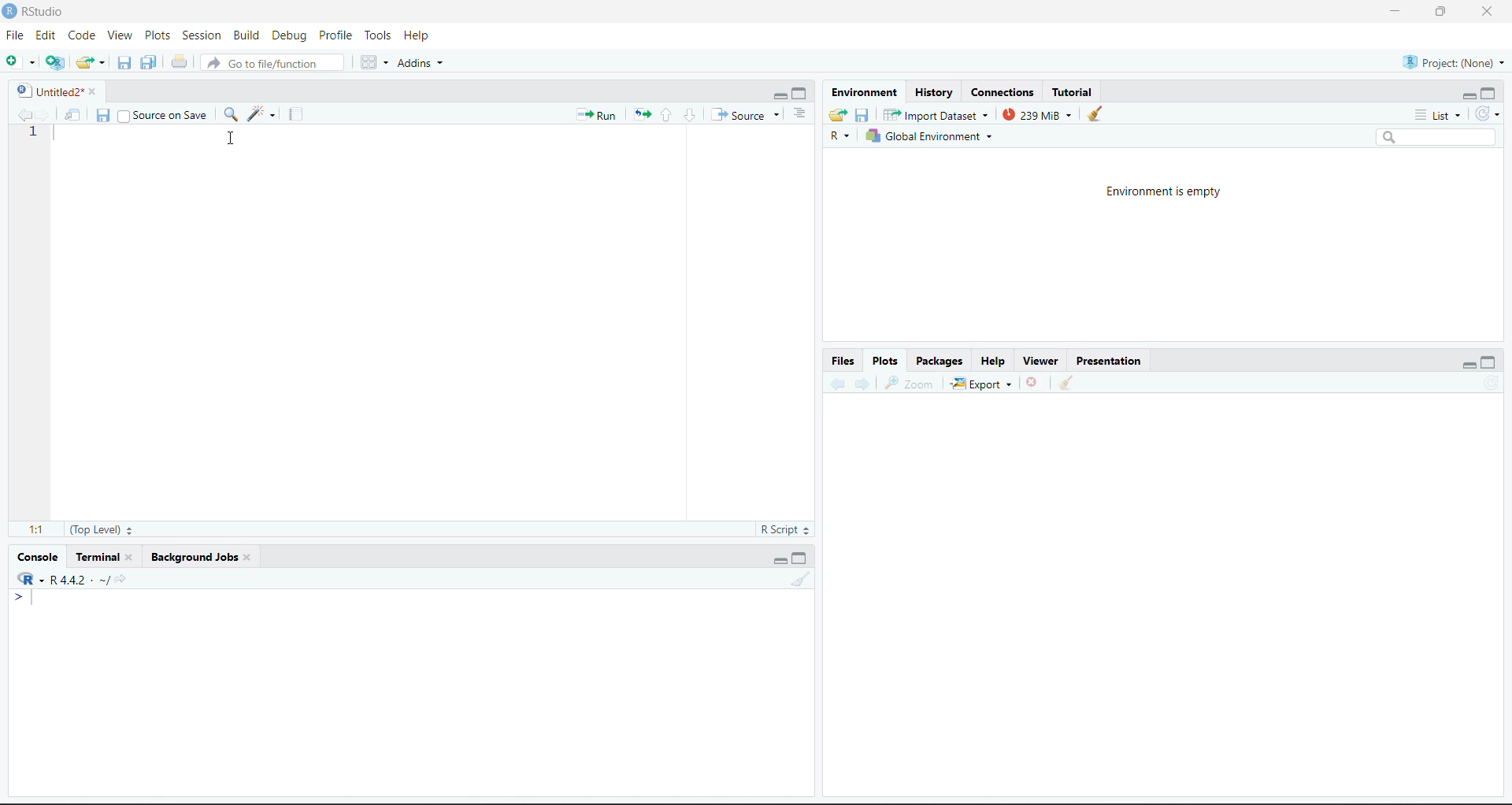 The image size is (1512, 805). What do you see at coordinates (424, 36) in the screenshot?
I see `Help` at bounding box center [424, 36].